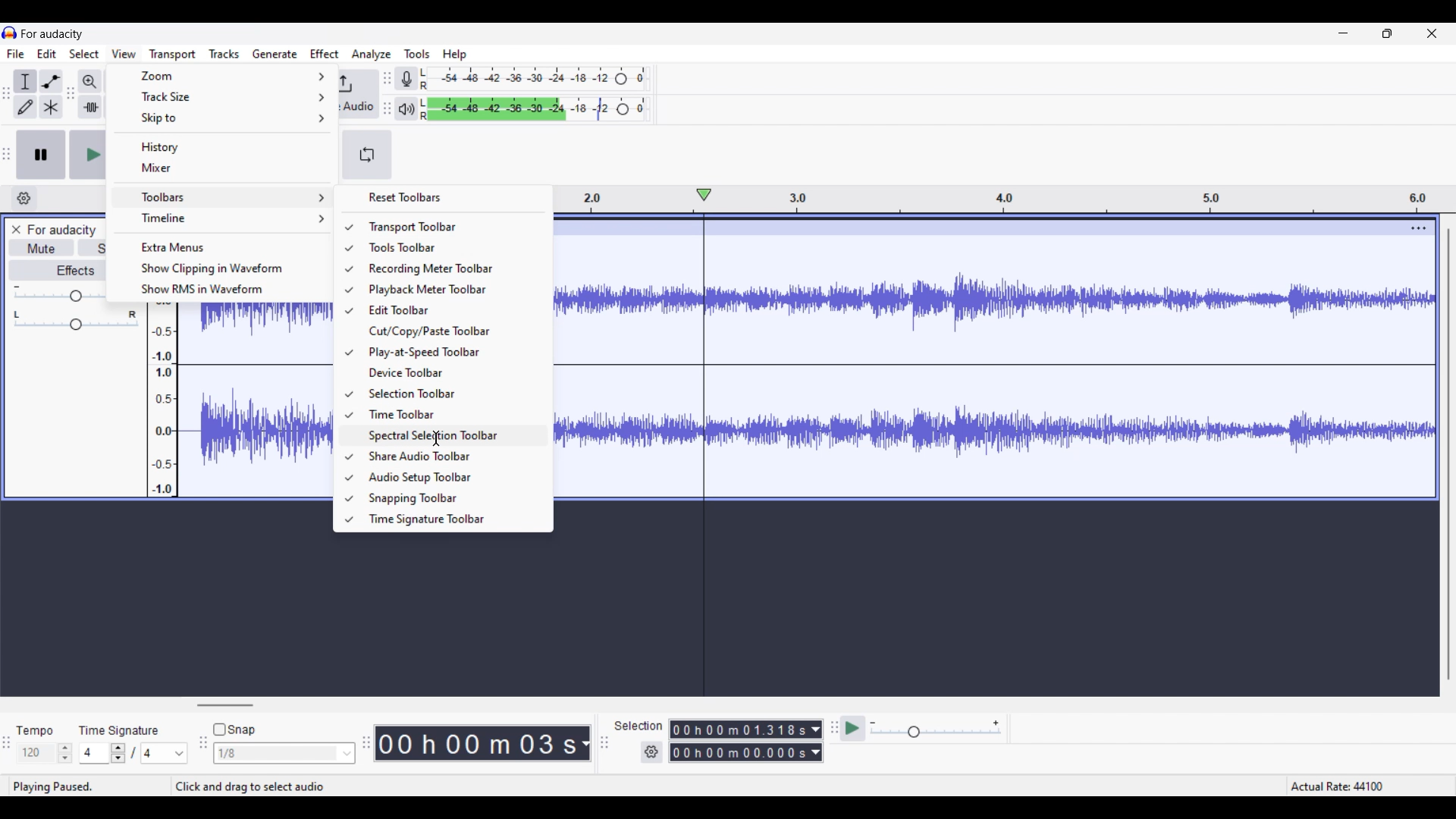 This screenshot has height=819, width=1456. I want to click on Trim audio outside selection, so click(90, 107).